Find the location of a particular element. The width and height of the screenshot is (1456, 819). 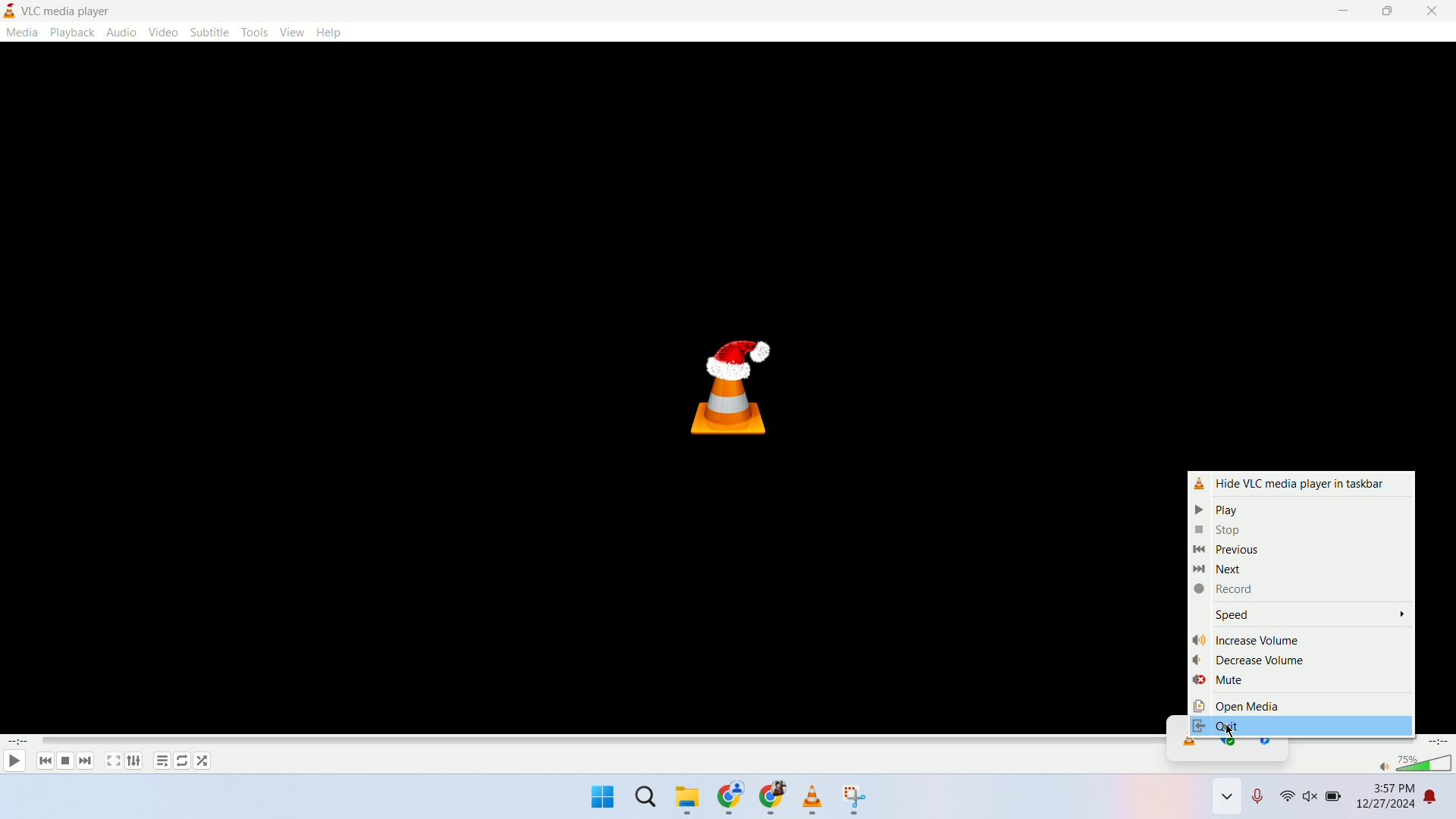

start is located at coordinates (601, 799).